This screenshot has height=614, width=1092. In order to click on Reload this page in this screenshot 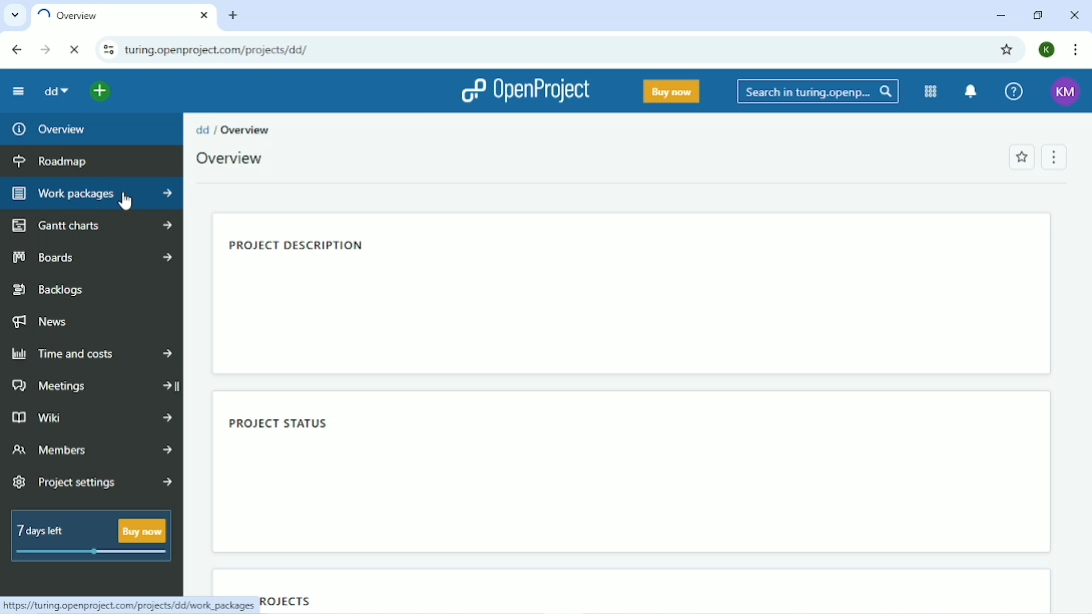, I will do `click(76, 49)`.